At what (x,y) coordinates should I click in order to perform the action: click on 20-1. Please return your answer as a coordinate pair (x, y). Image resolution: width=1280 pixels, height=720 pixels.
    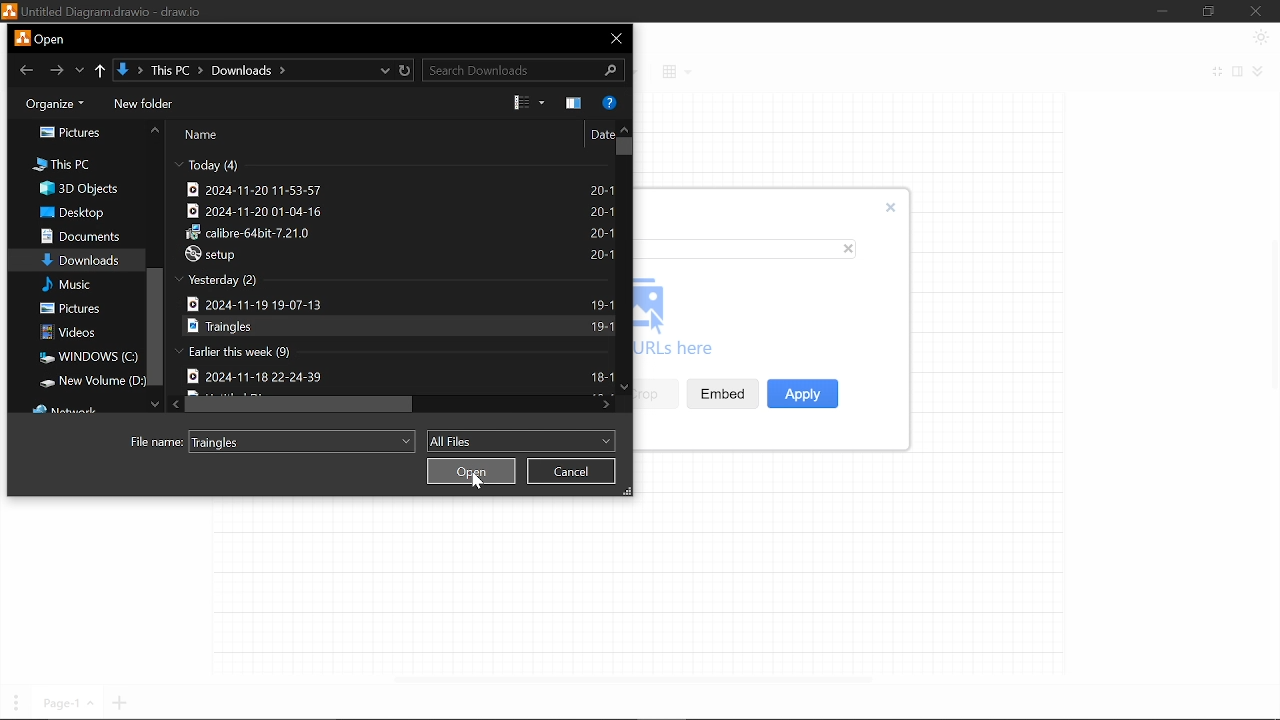
    Looking at the image, I should click on (603, 255).